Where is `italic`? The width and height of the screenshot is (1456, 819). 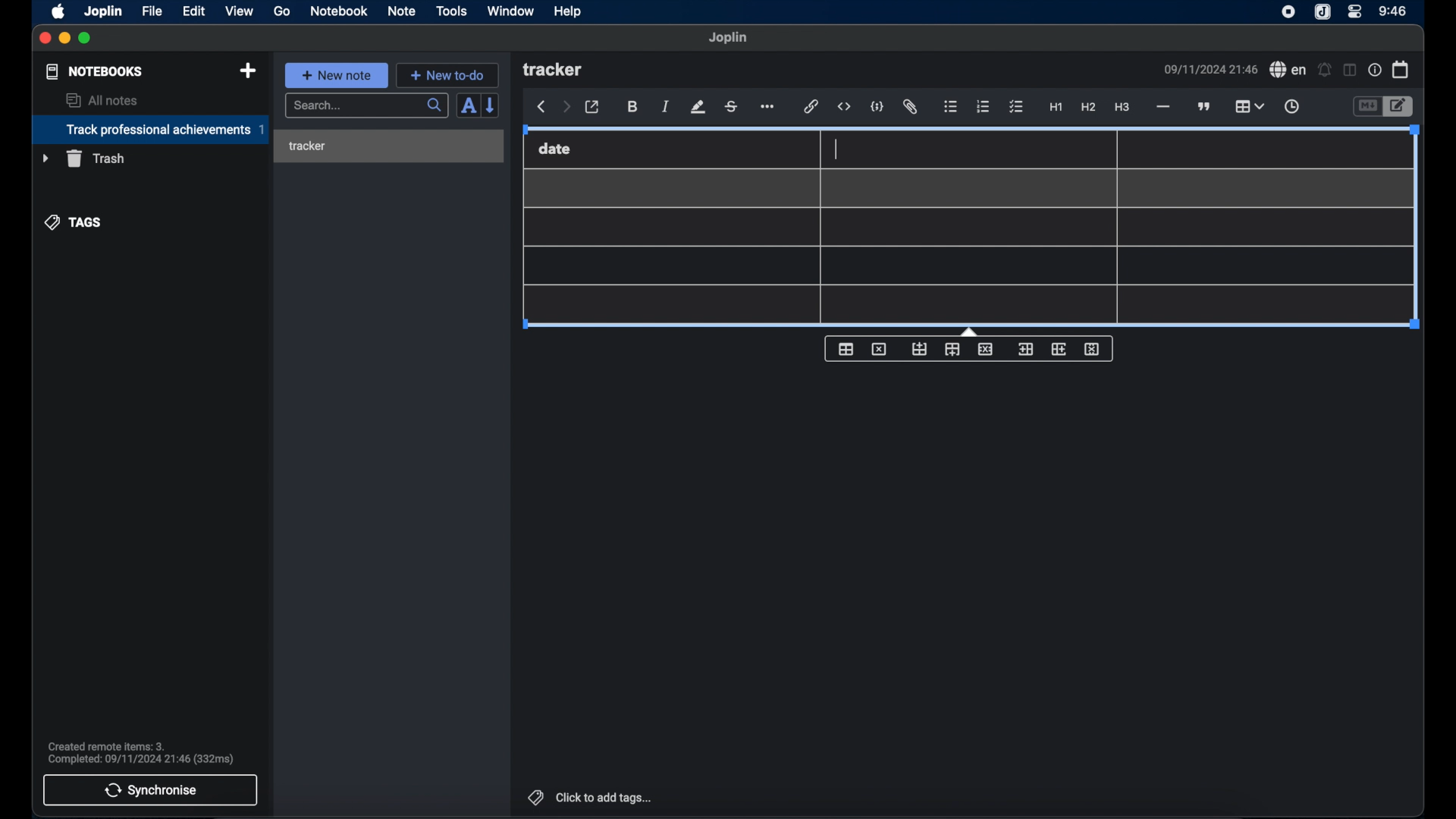 italic is located at coordinates (666, 108).